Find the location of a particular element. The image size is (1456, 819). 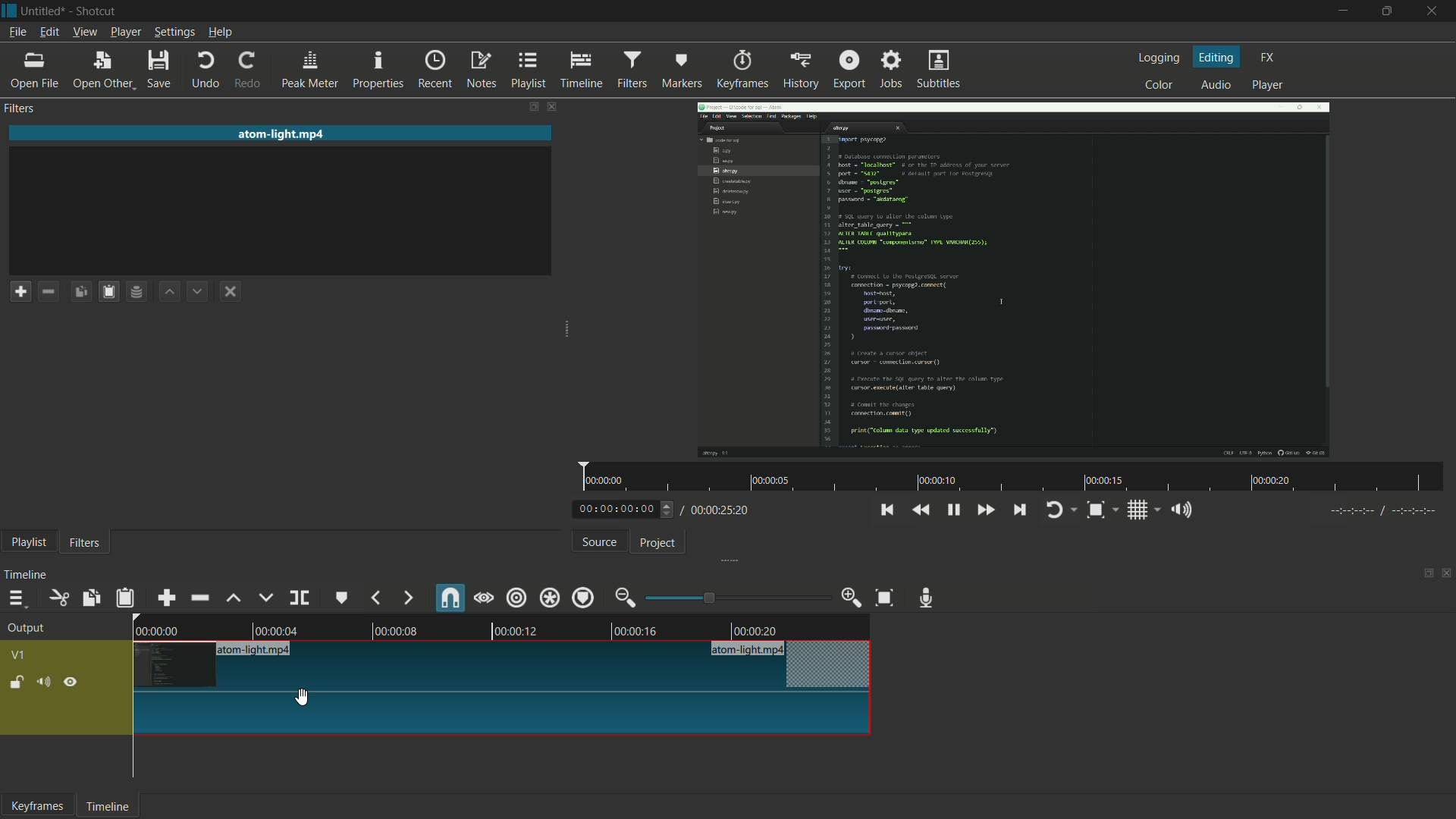

adjustment bar is located at coordinates (732, 598).